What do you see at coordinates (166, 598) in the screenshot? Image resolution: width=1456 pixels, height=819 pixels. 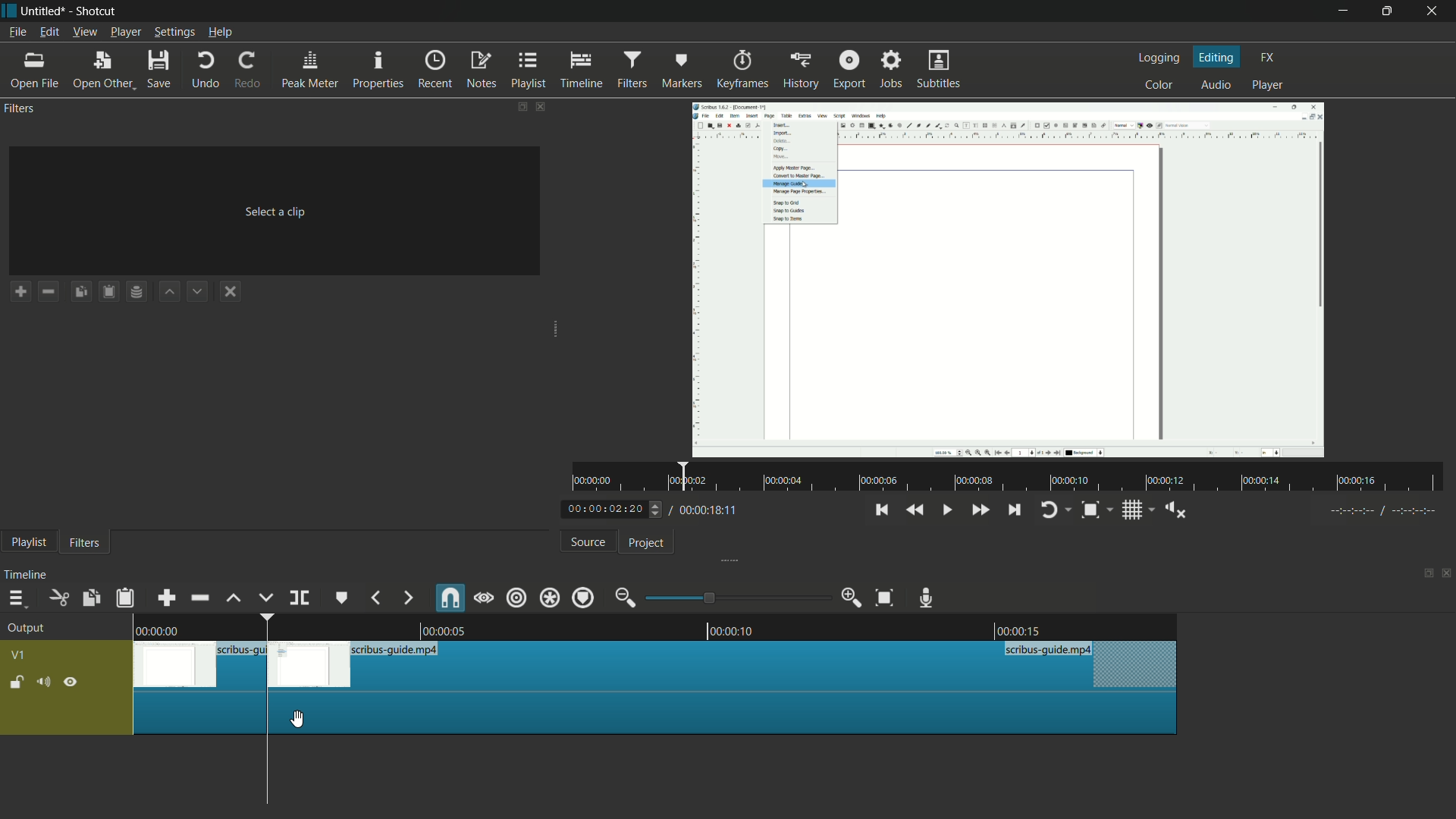 I see `append` at bounding box center [166, 598].